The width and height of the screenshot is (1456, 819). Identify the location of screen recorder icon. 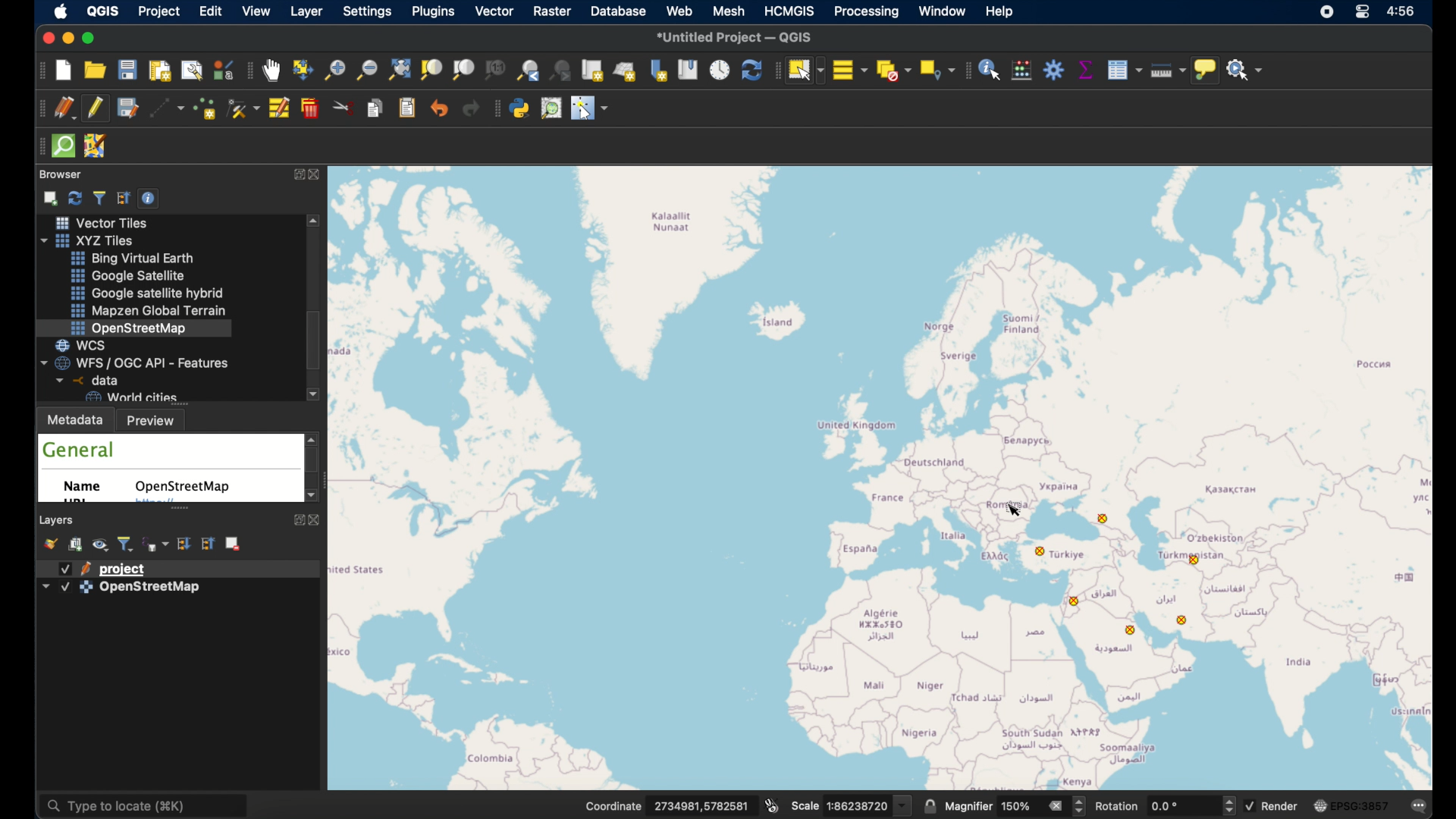
(1327, 13).